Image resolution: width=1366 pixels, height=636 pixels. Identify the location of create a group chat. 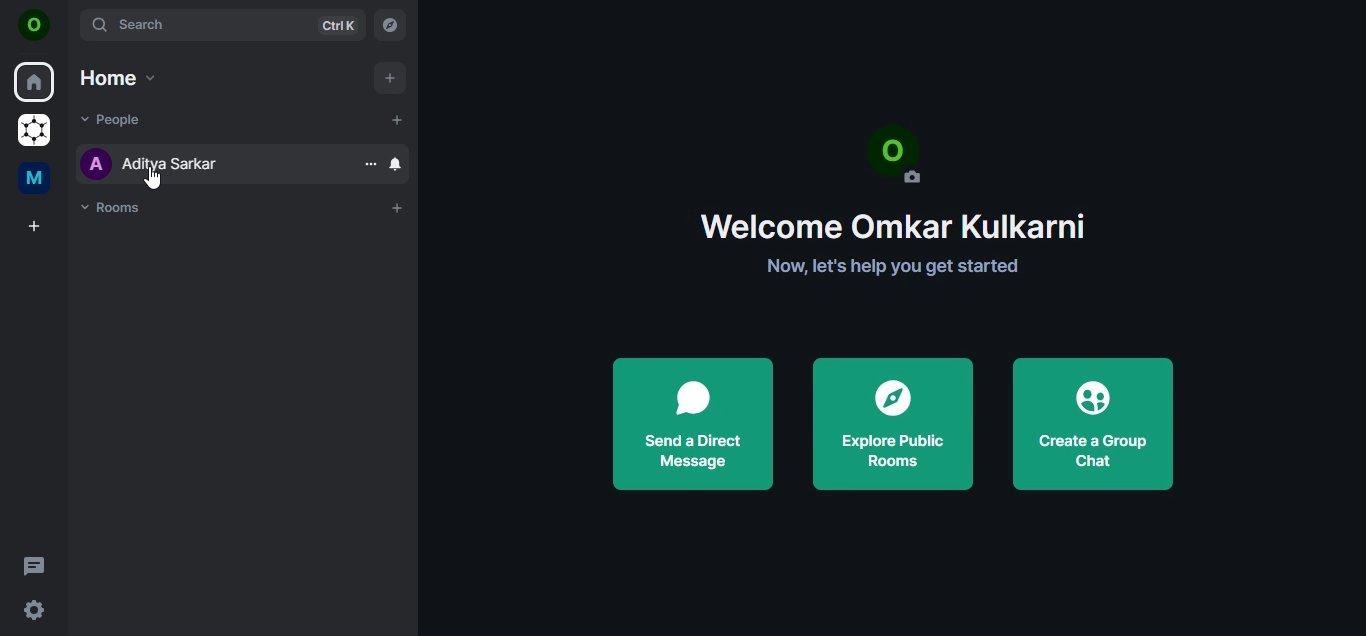
(1100, 423).